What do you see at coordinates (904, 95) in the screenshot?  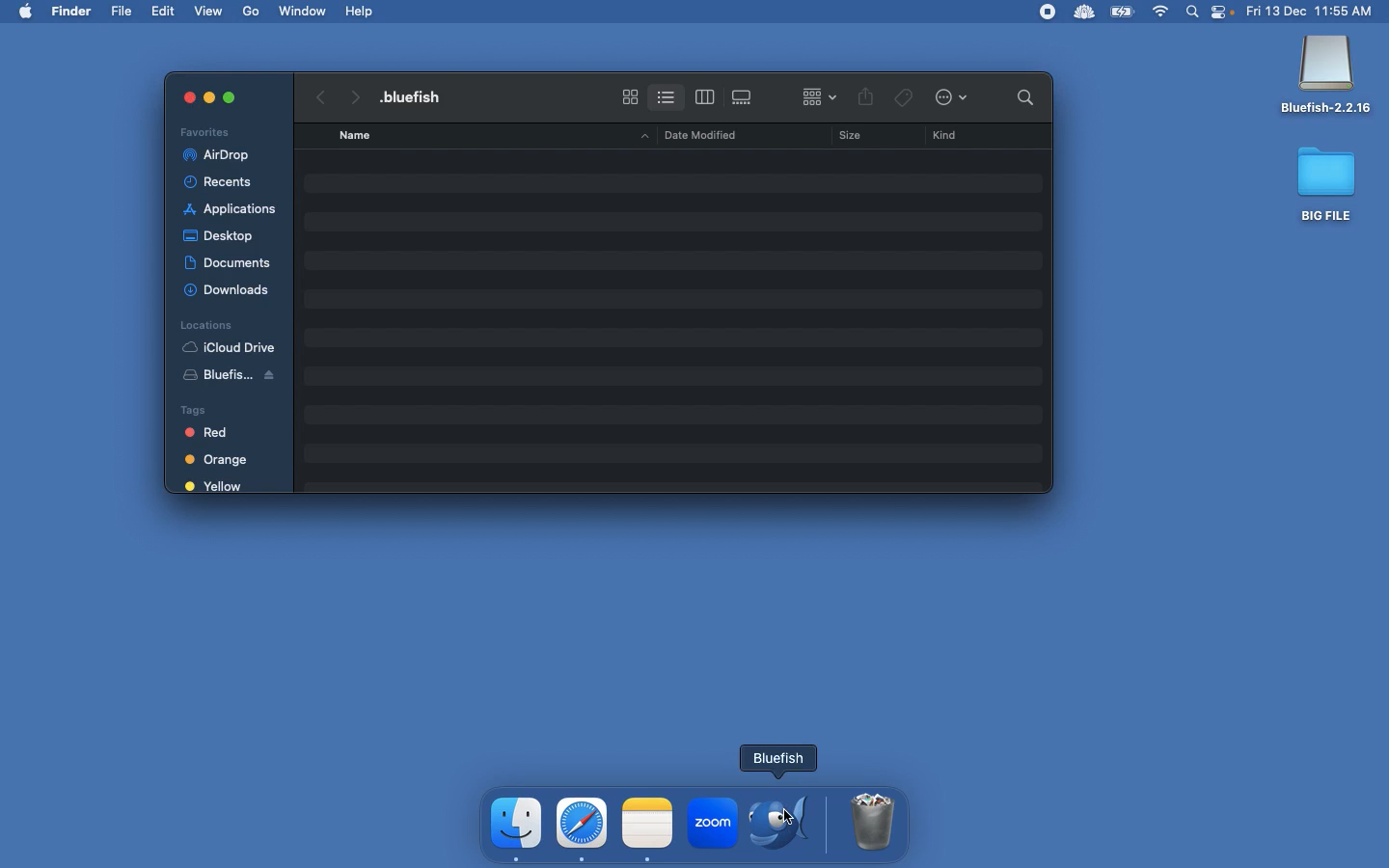 I see `tags` at bounding box center [904, 95].